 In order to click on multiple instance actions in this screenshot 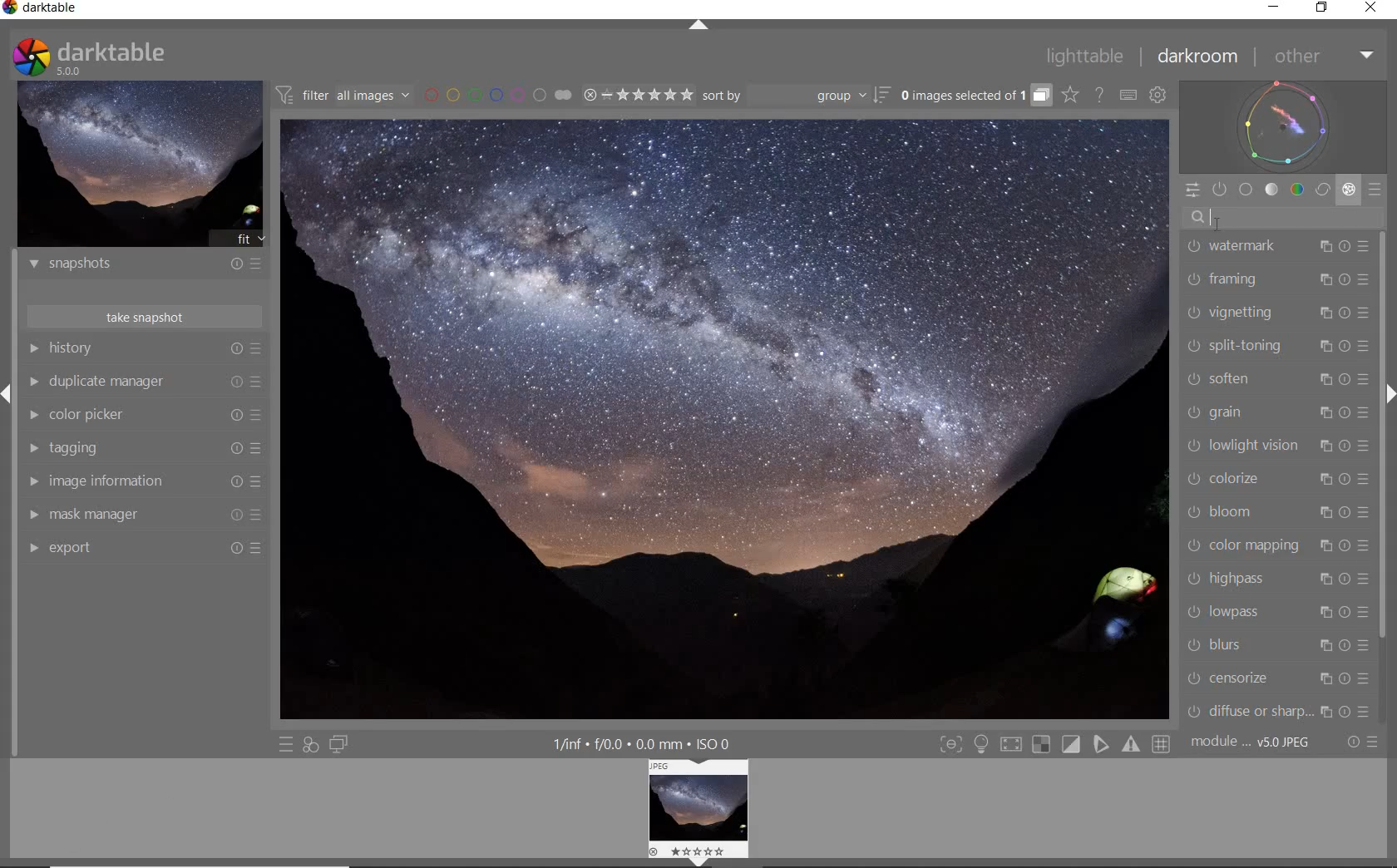, I will do `click(1325, 543)`.